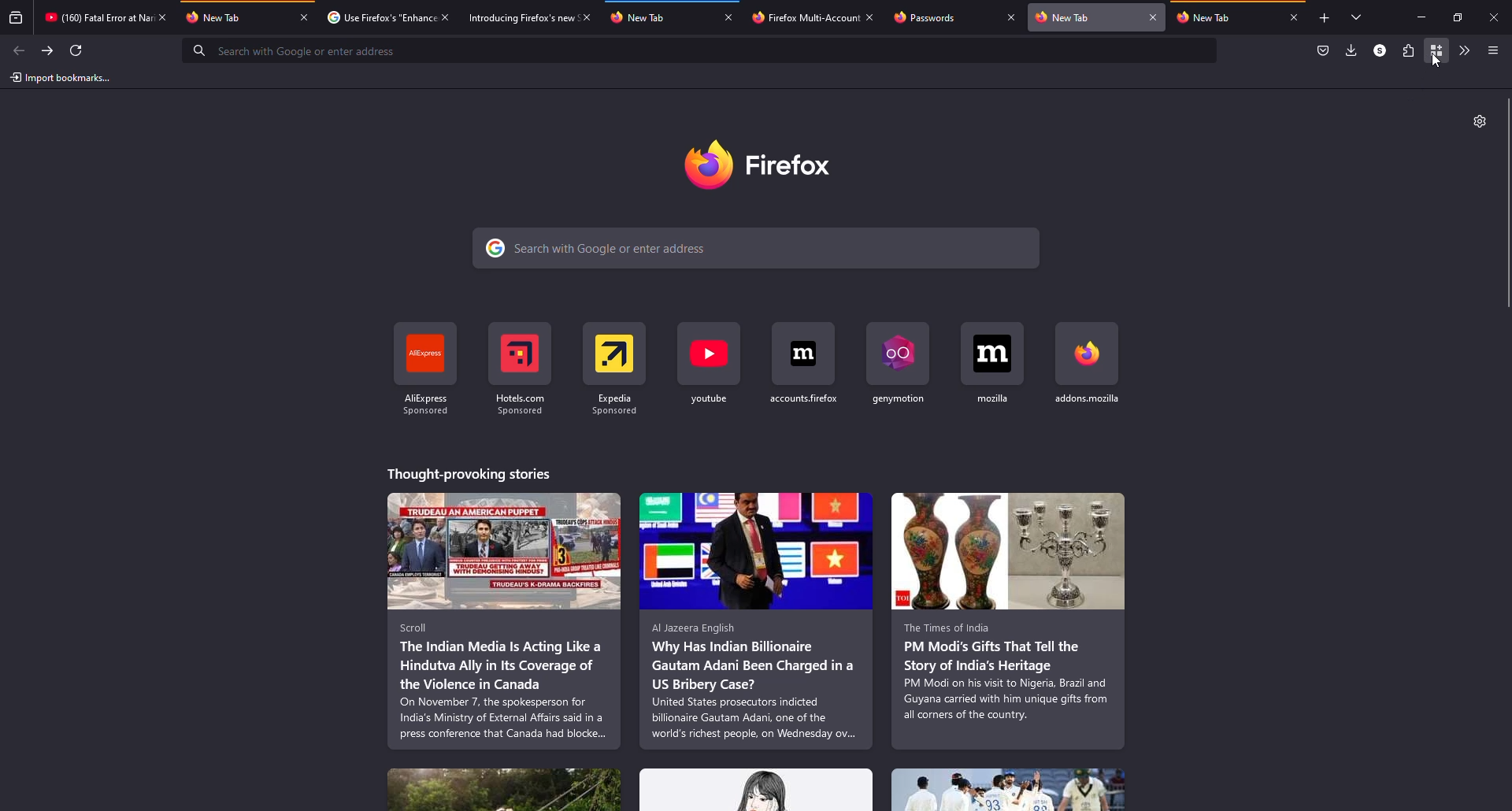  What do you see at coordinates (164, 17) in the screenshot?
I see `close` at bounding box center [164, 17].